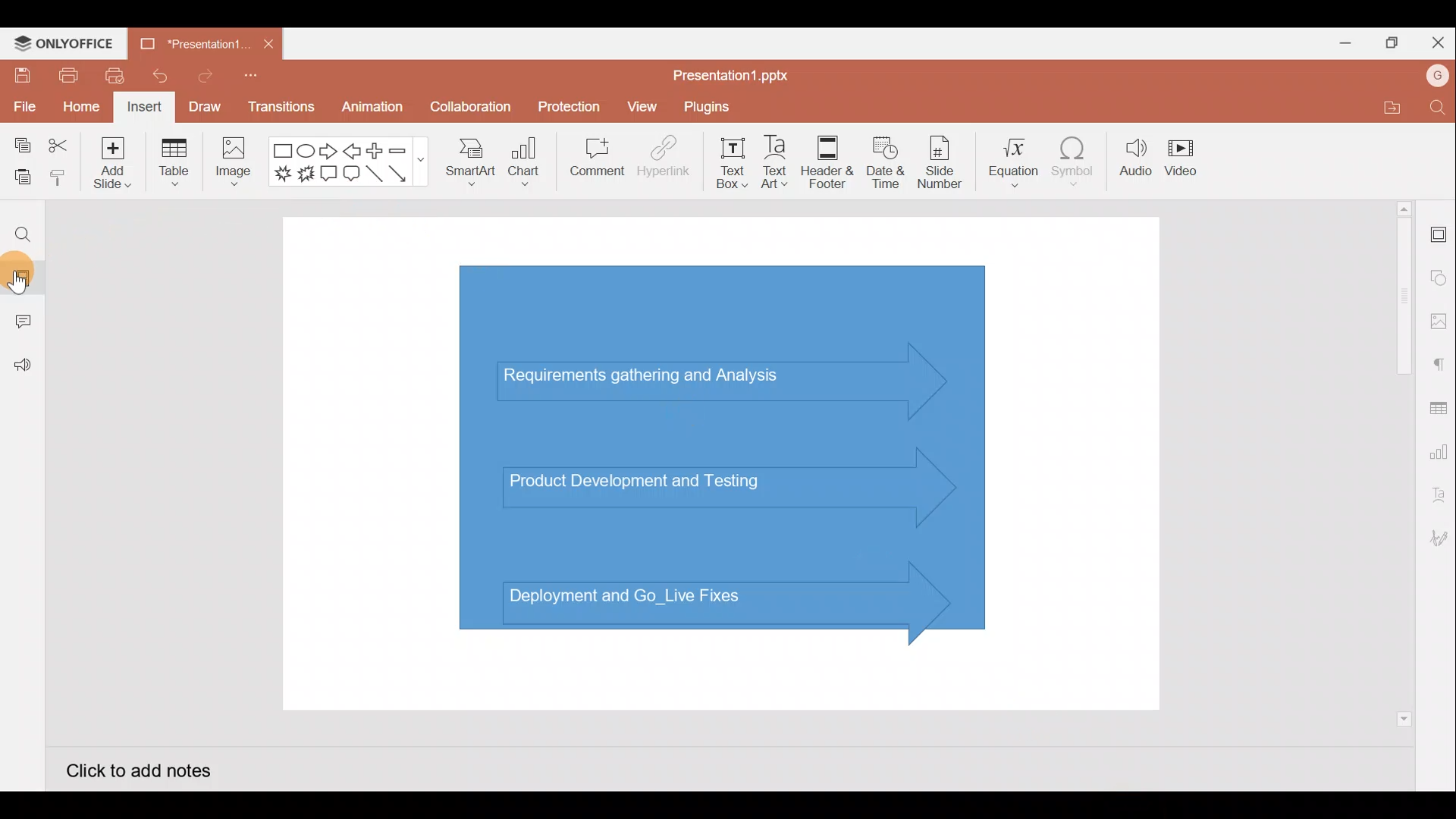 Image resolution: width=1456 pixels, height=819 pixels. I want to click on Draw, so click(203, 105).